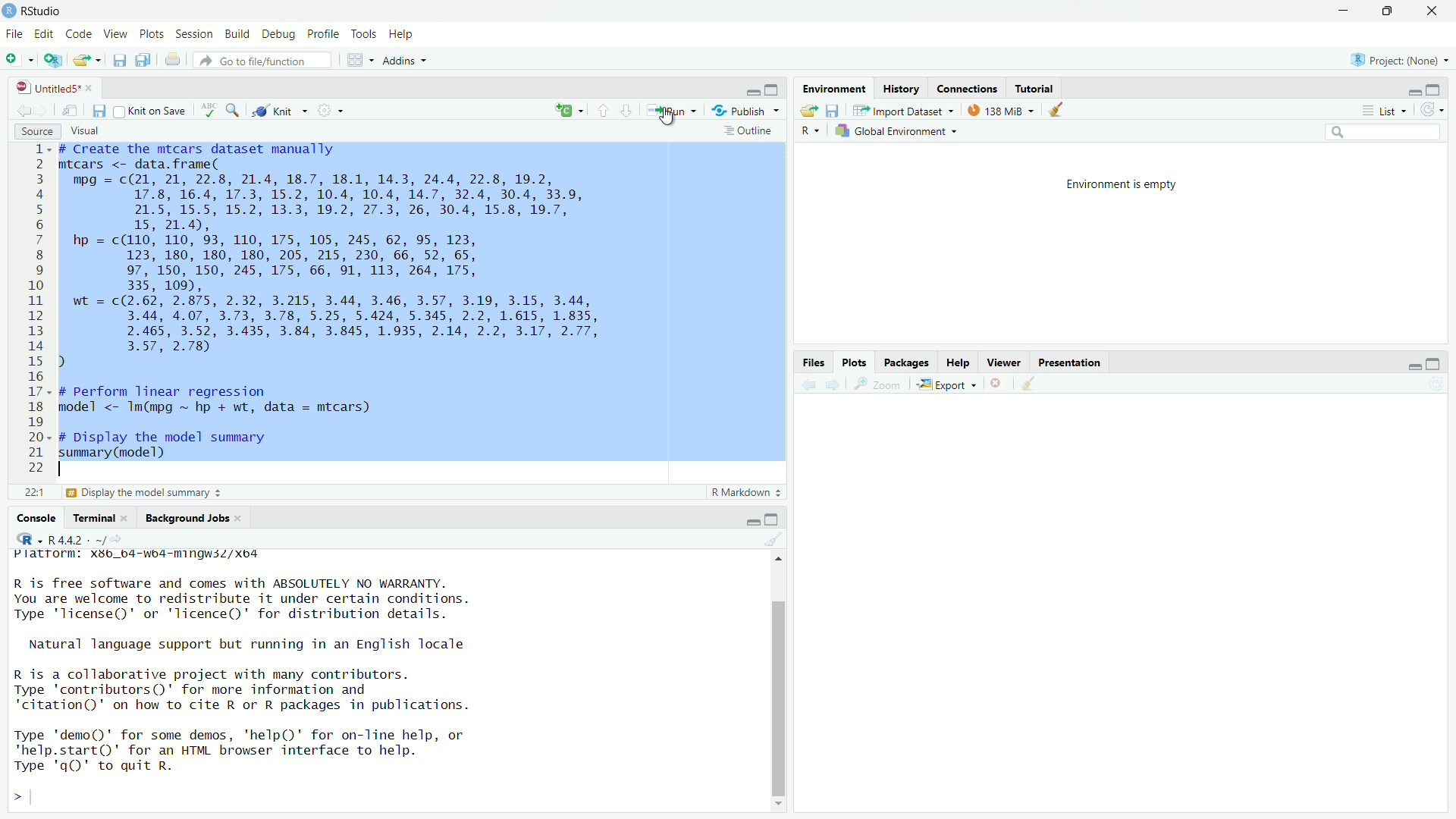 This screenshot has height=819, width=1456. I want to click on files, so click(814, 362).